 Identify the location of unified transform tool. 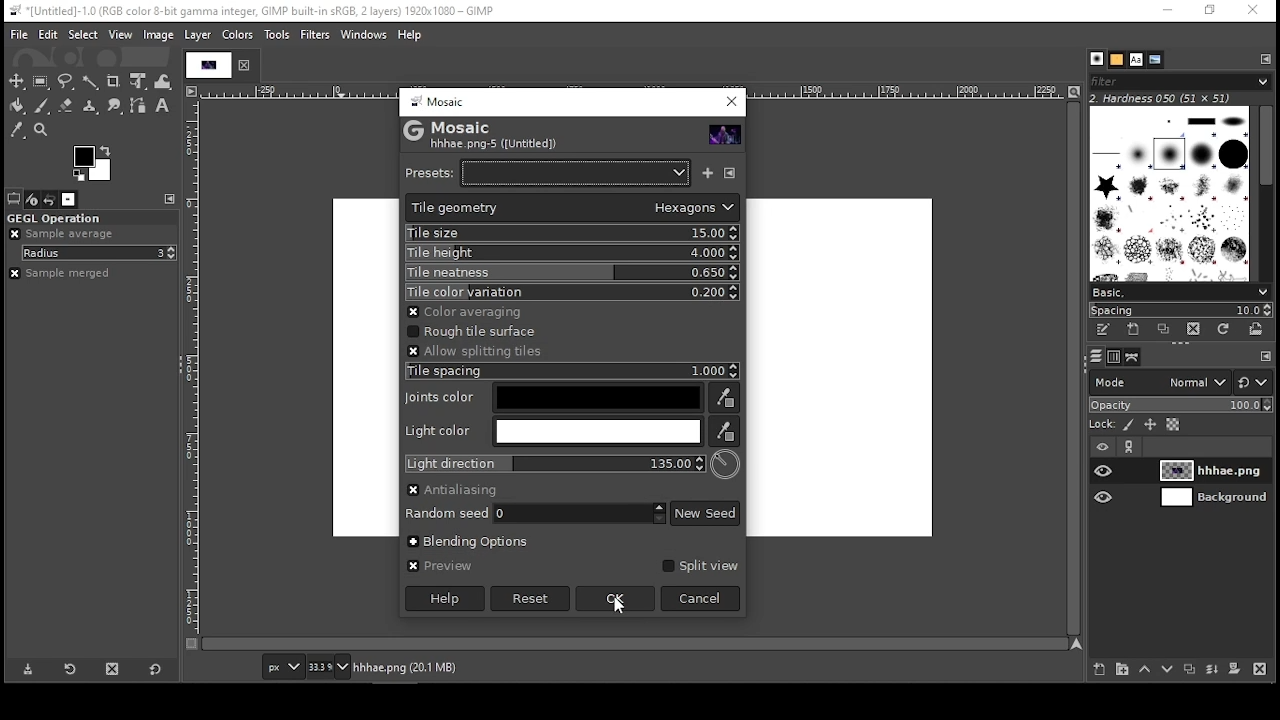
(140, 82).